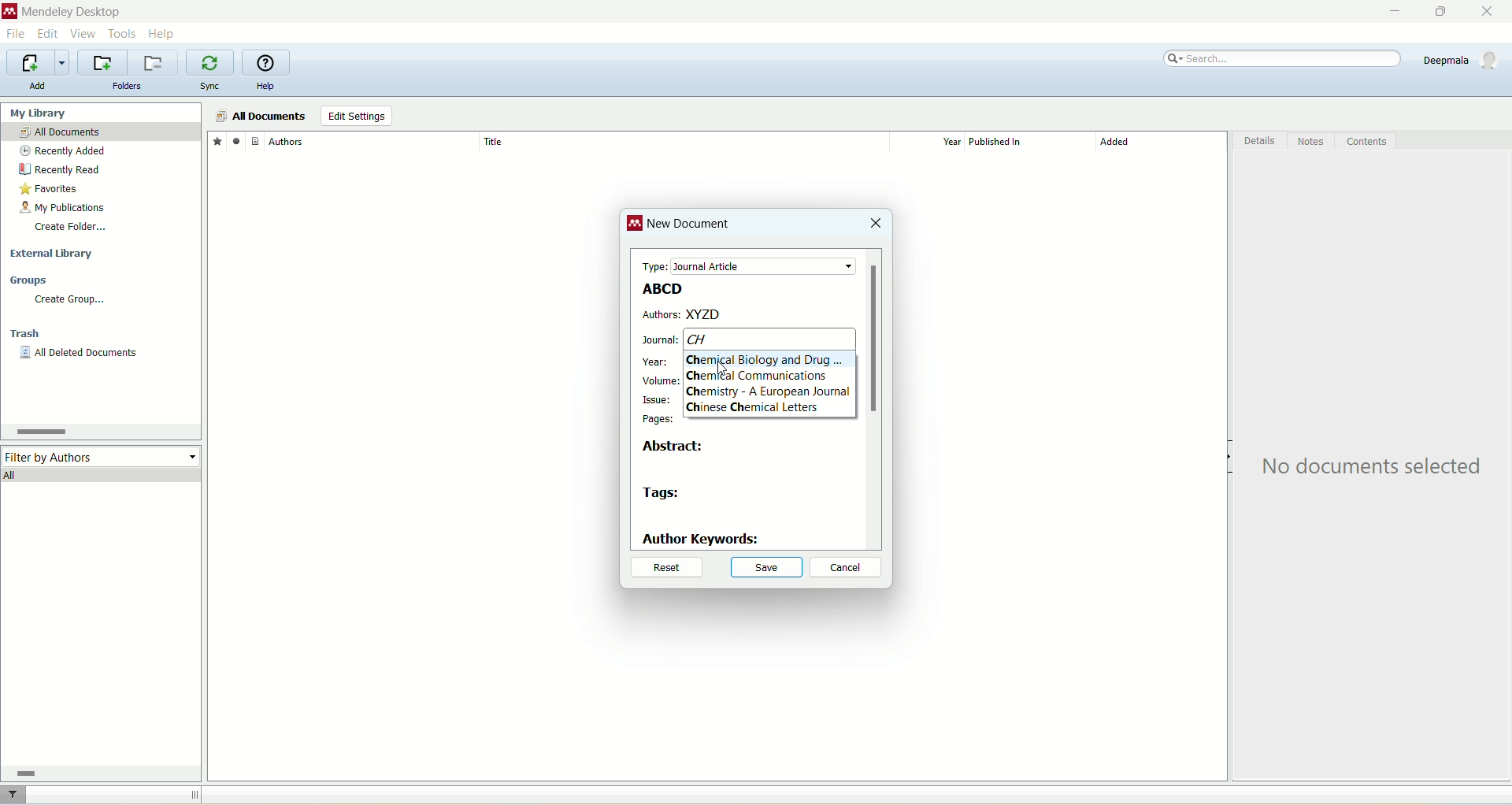 This screenshot has height=805, width=1512. What do you see at coordinates (212, 87) in the screenshot?
I see `sync` at bounding box center [212, 87].